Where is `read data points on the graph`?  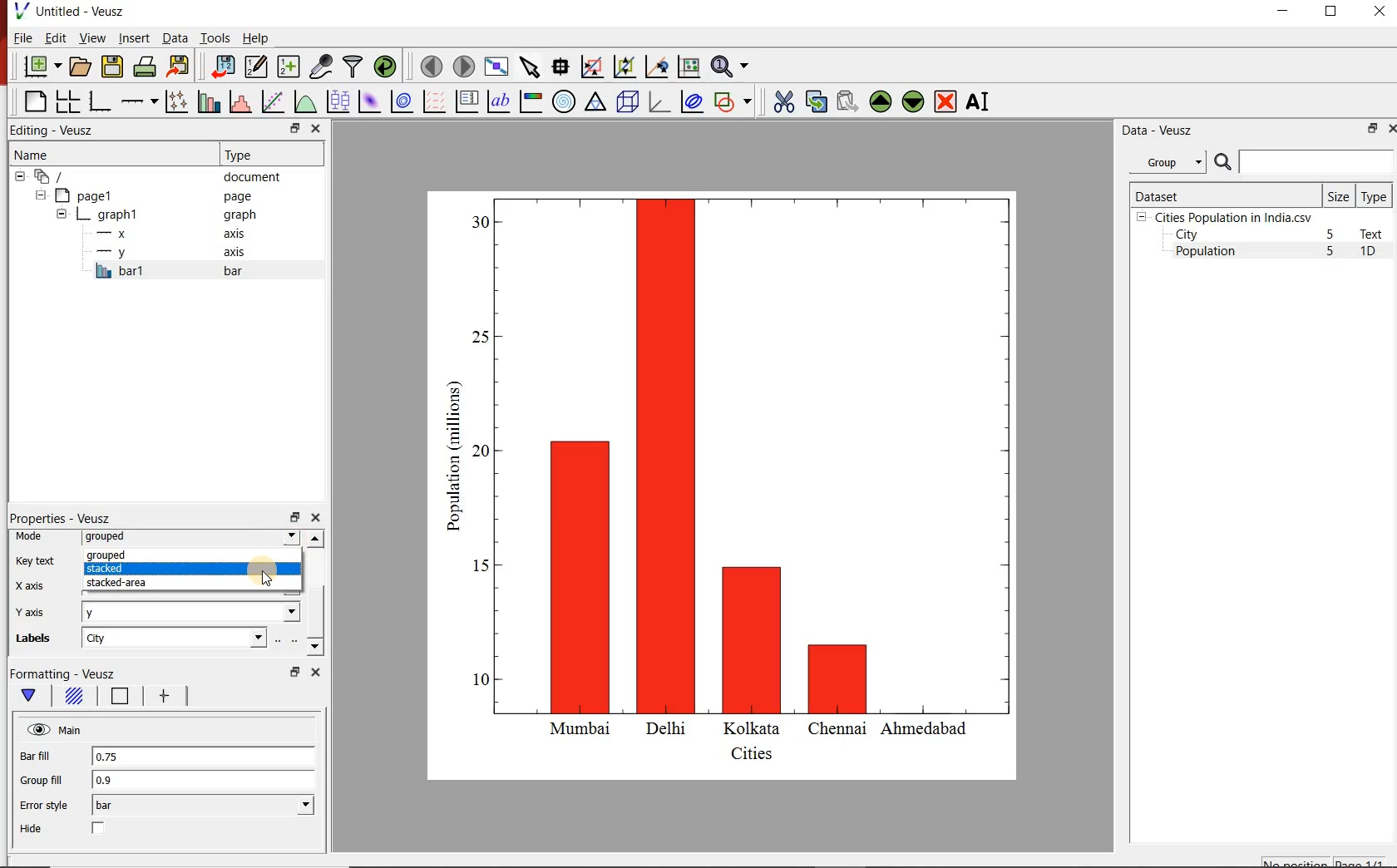
read data points on the graph is located at coordinates (560, 65).